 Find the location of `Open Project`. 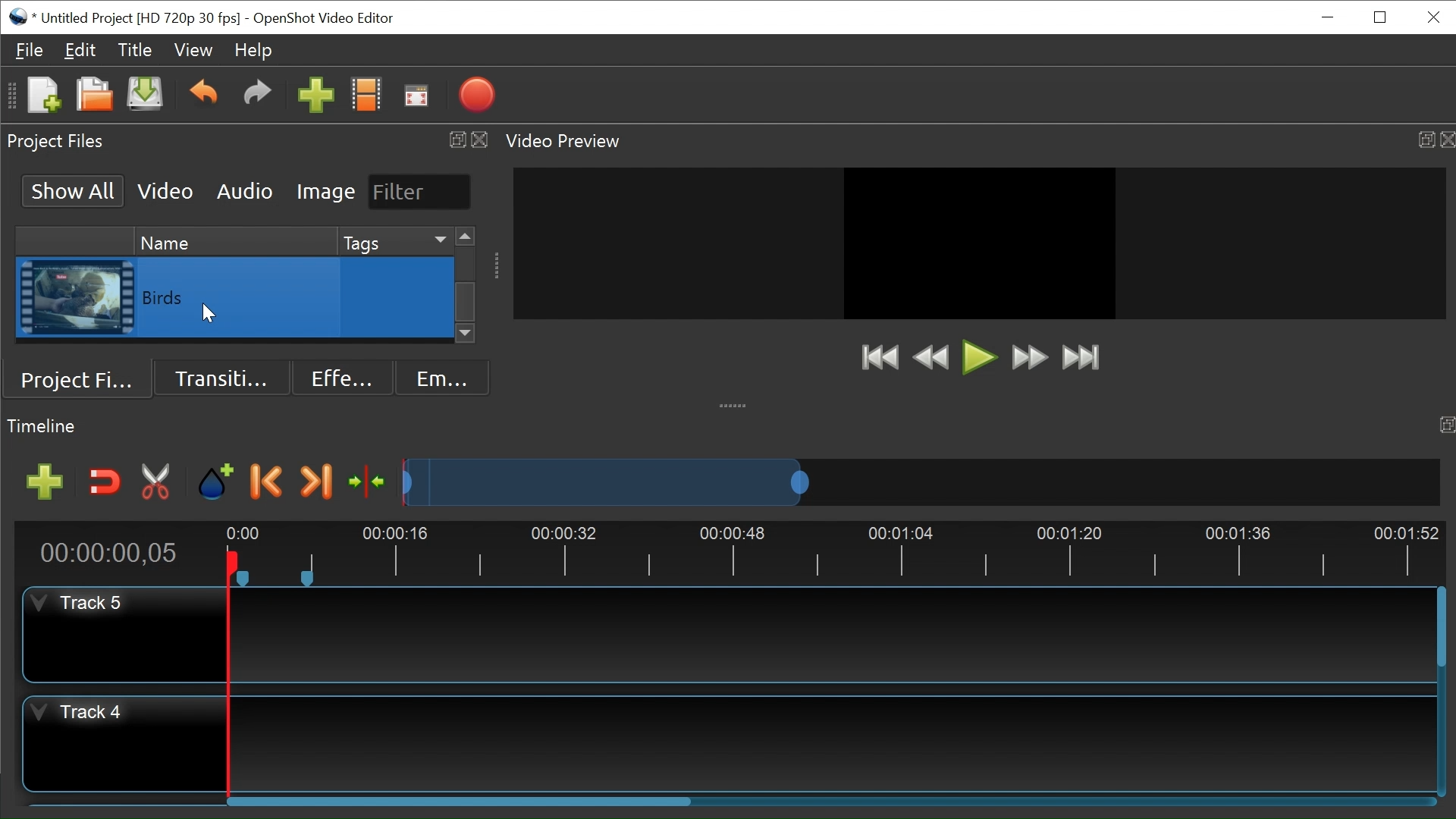

Open Project is located at coordinates (90, 94).